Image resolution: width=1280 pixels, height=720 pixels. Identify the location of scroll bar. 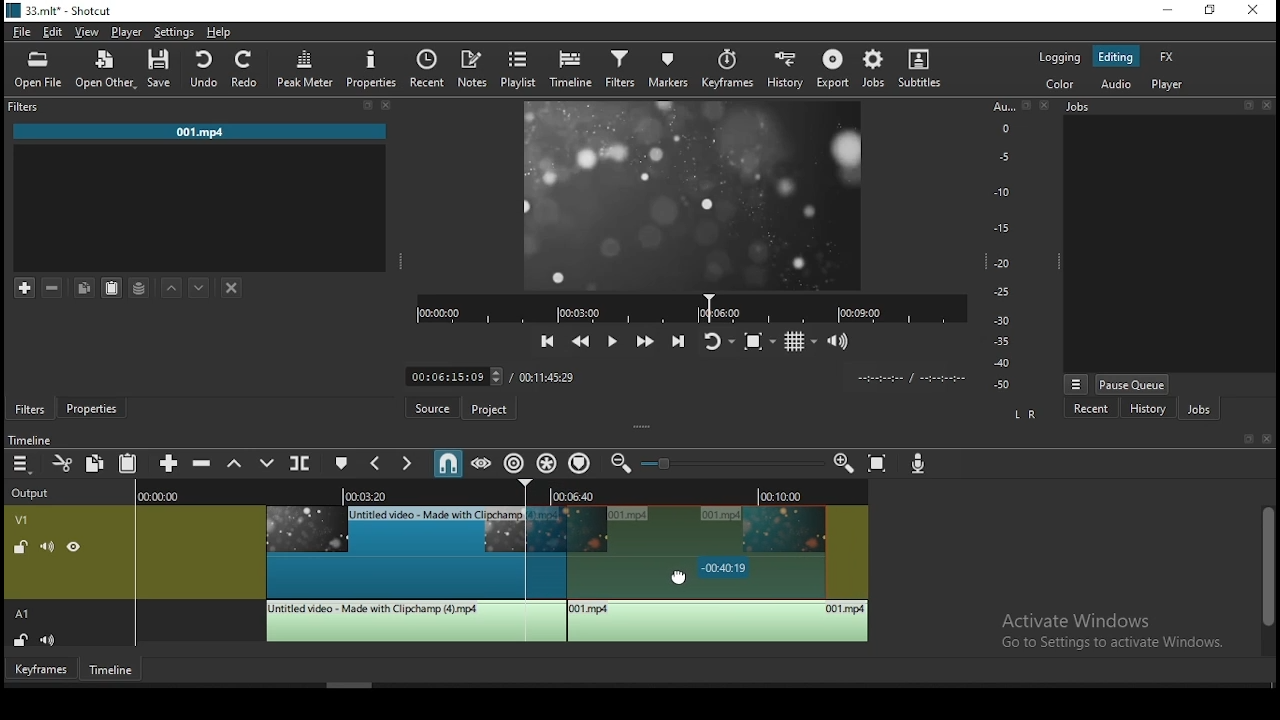
(355, 683).